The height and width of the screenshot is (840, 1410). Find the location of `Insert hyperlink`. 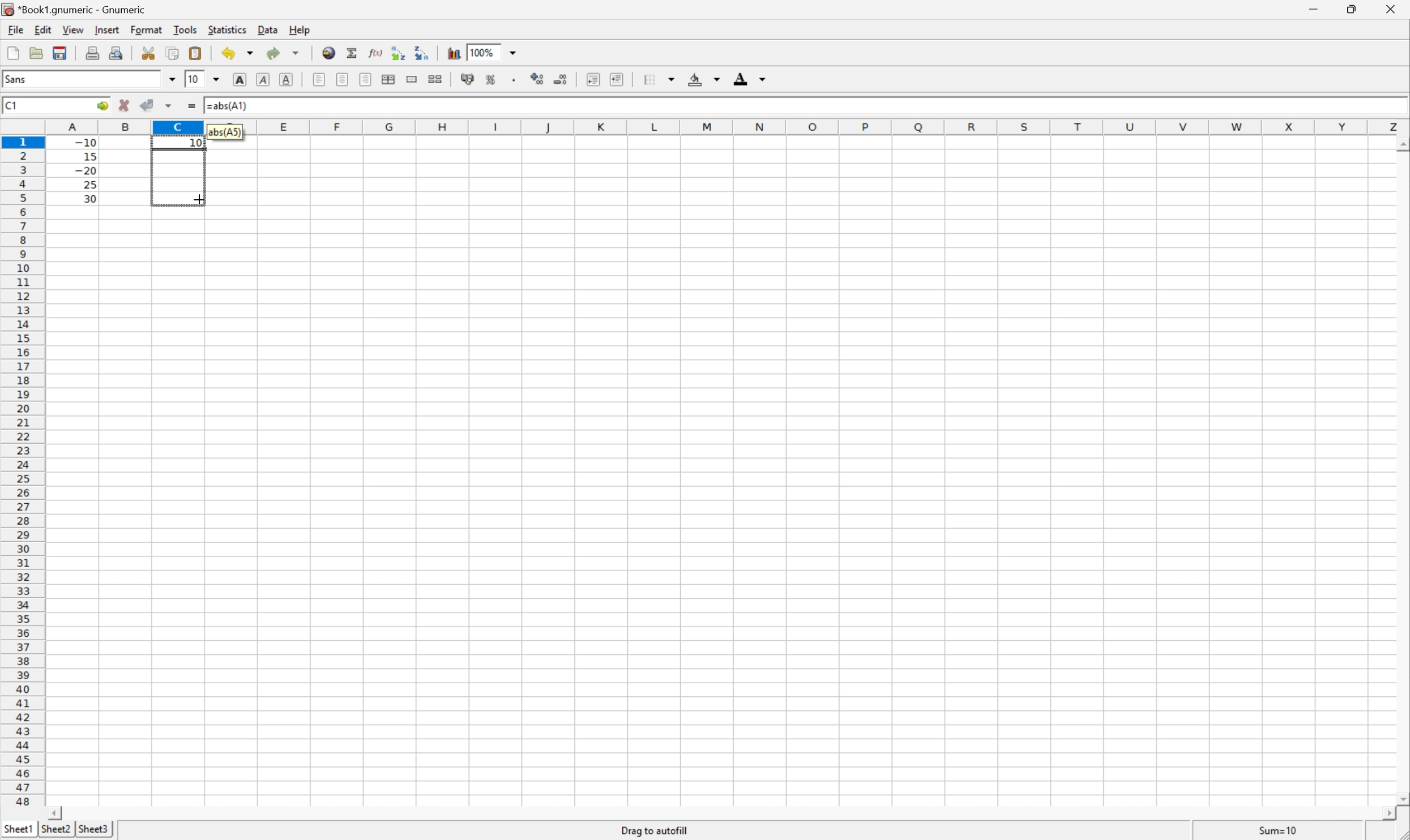

Insert hyperlink is located at coordinates (327, 52).